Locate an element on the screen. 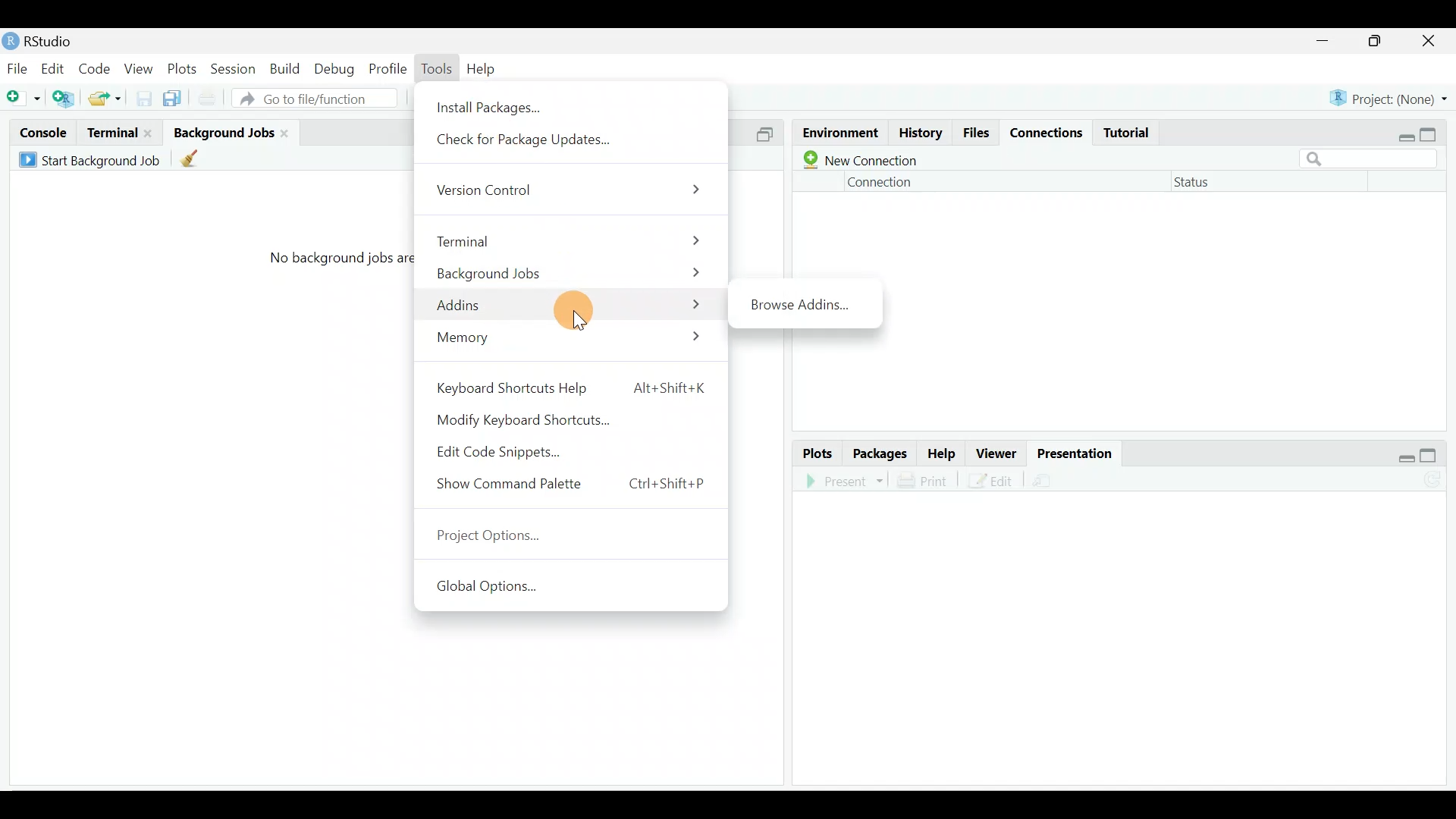  Present in an external web browser is located at coordinates (1048, 479).